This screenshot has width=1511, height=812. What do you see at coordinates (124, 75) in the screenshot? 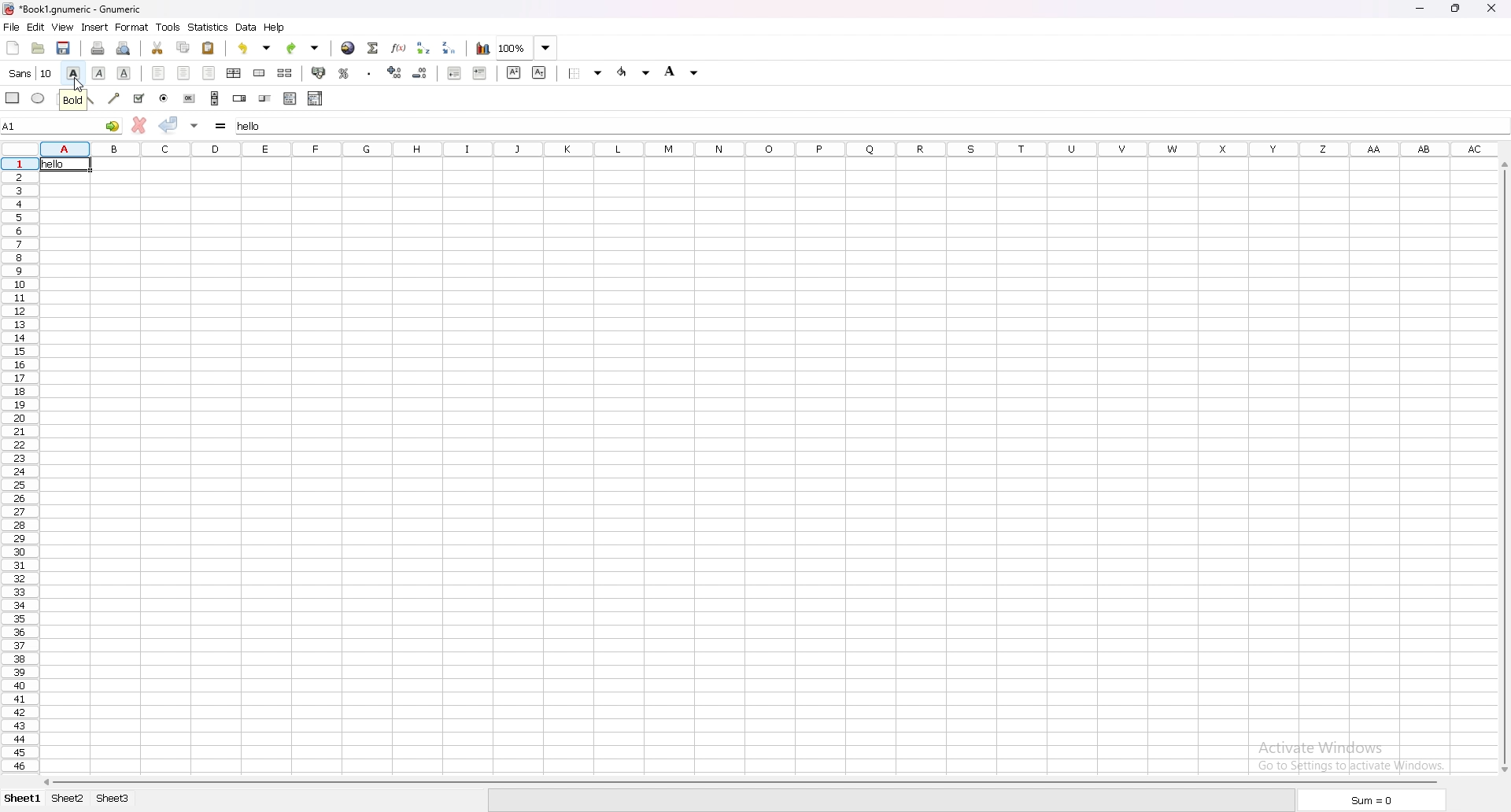
I see `underline` at bounding box center [124, 75].